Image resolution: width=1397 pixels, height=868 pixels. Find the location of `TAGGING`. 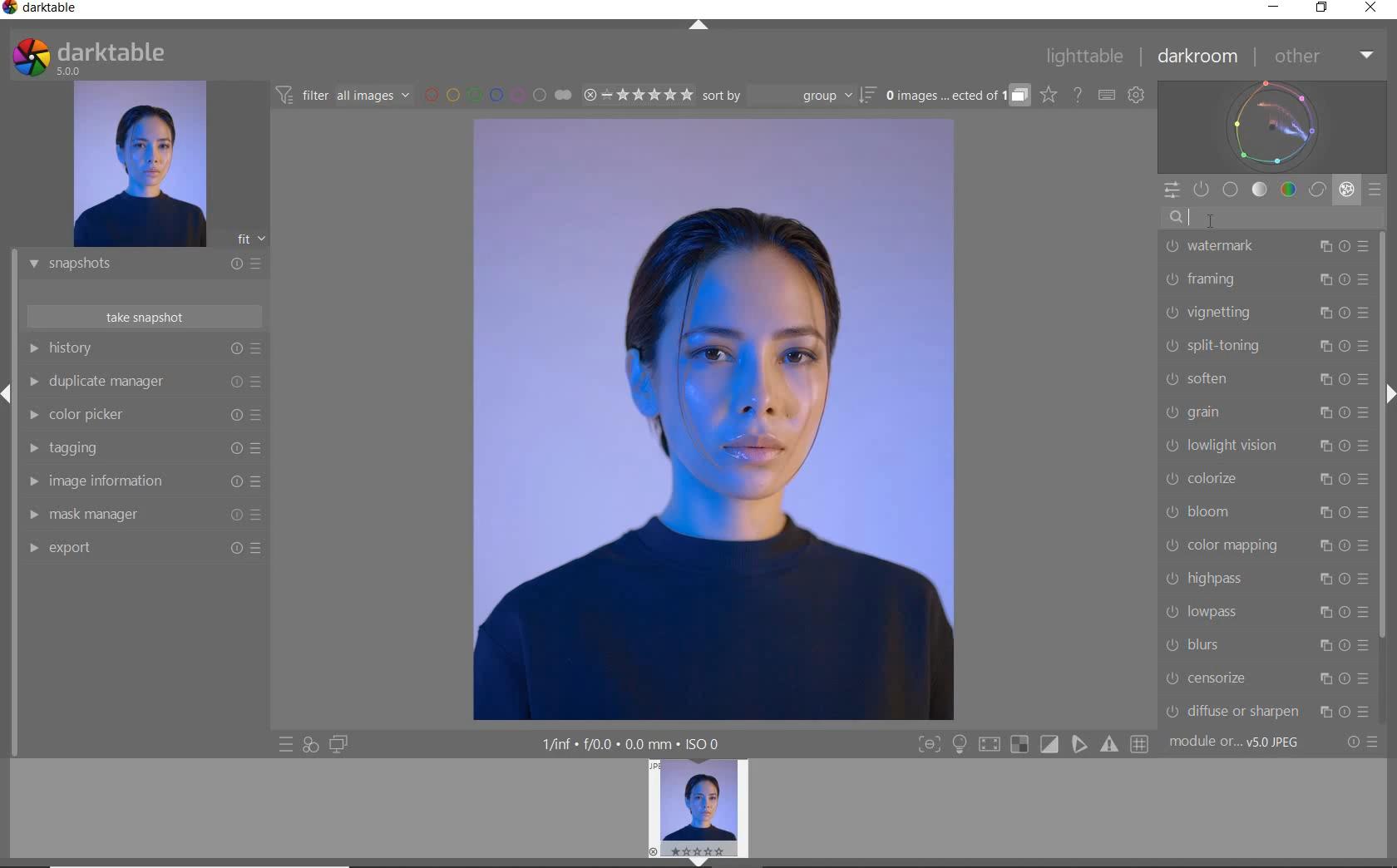

TAGGING is located at coordinates (141, 449).